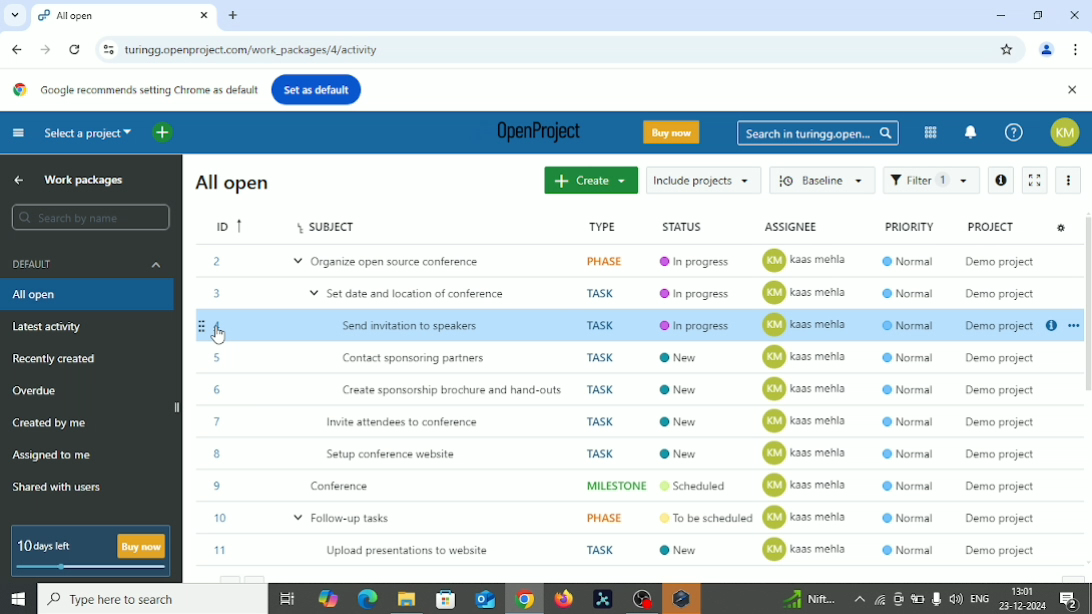  I want to click on Latest activity, so click(48, 327).